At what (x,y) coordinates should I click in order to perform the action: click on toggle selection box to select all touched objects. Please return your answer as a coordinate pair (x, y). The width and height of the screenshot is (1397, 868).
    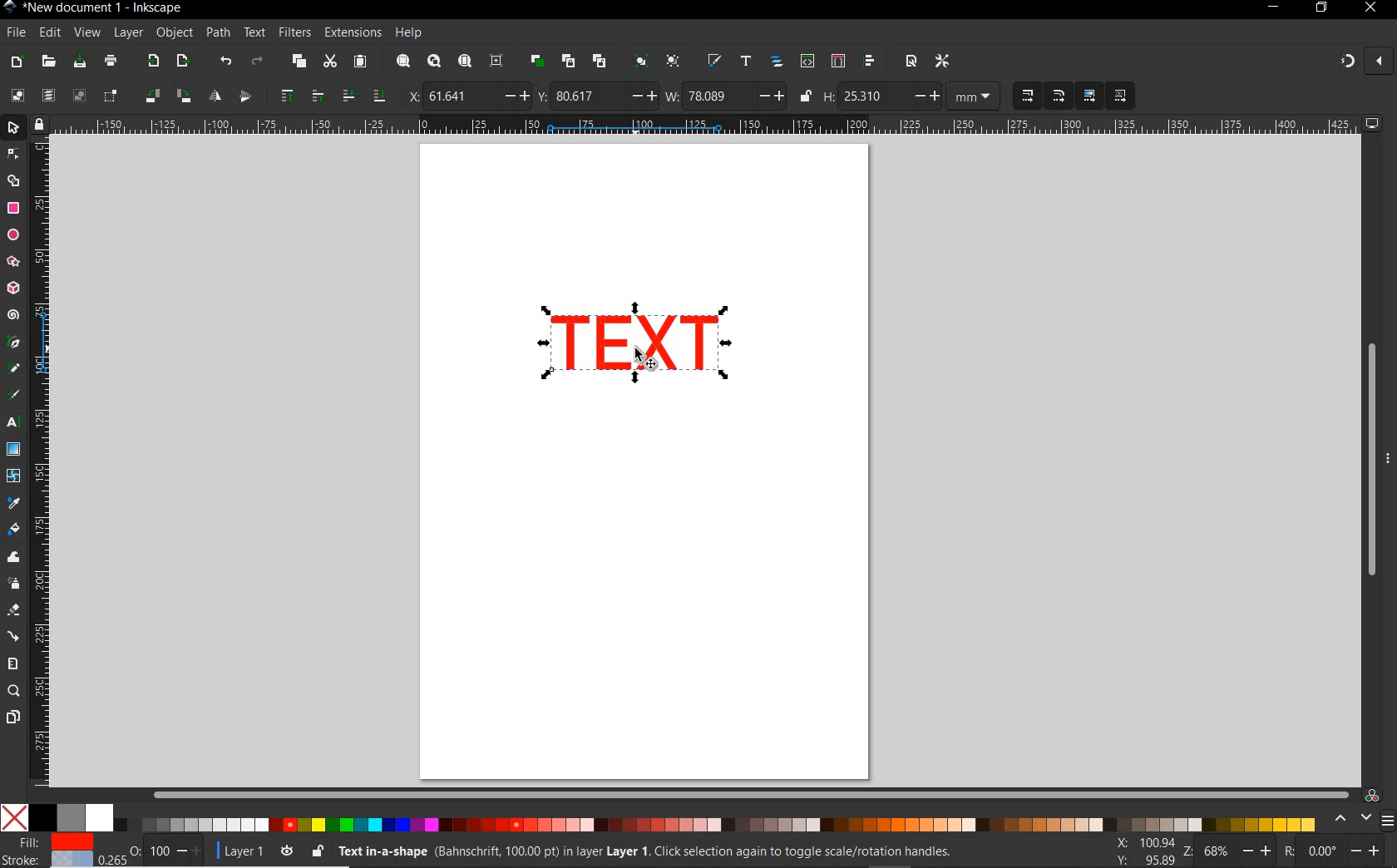
    Looking at the image, I should click on (111, 96).